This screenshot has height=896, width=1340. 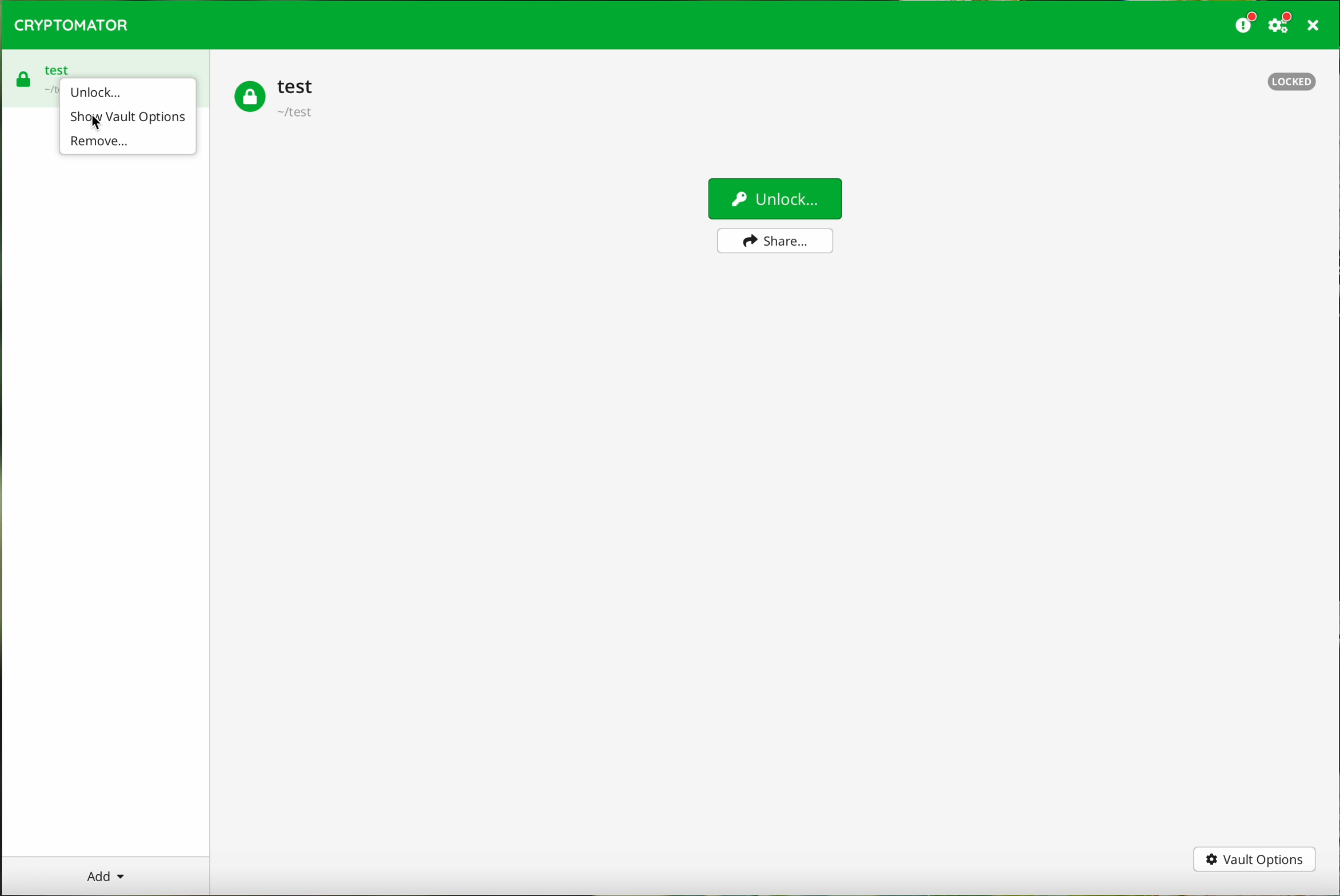 I want to click on remove, so click(x=103, y=142).